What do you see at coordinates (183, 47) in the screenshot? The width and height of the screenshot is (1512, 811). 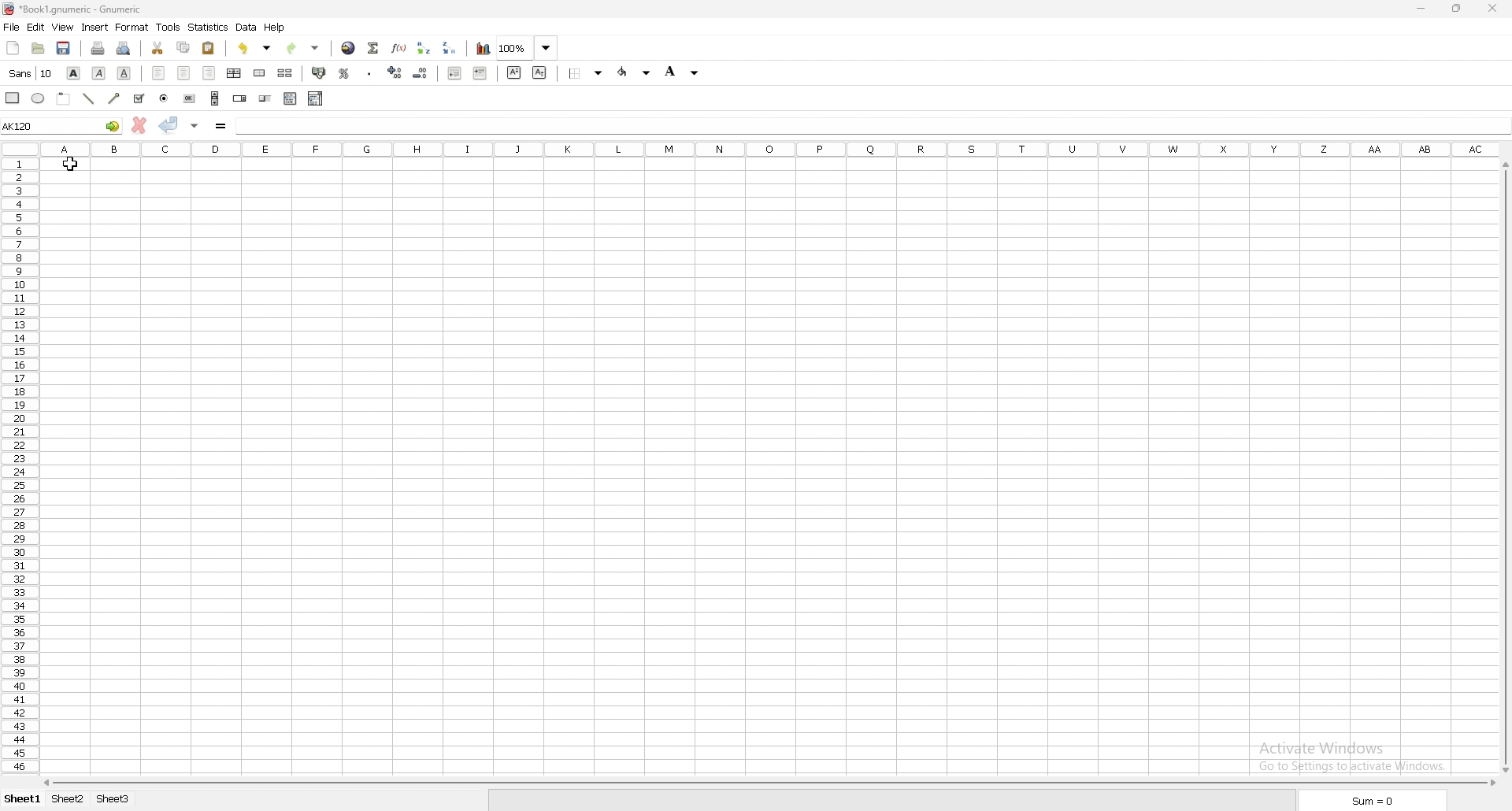 I see `copy` at bounding box center [183, 47].